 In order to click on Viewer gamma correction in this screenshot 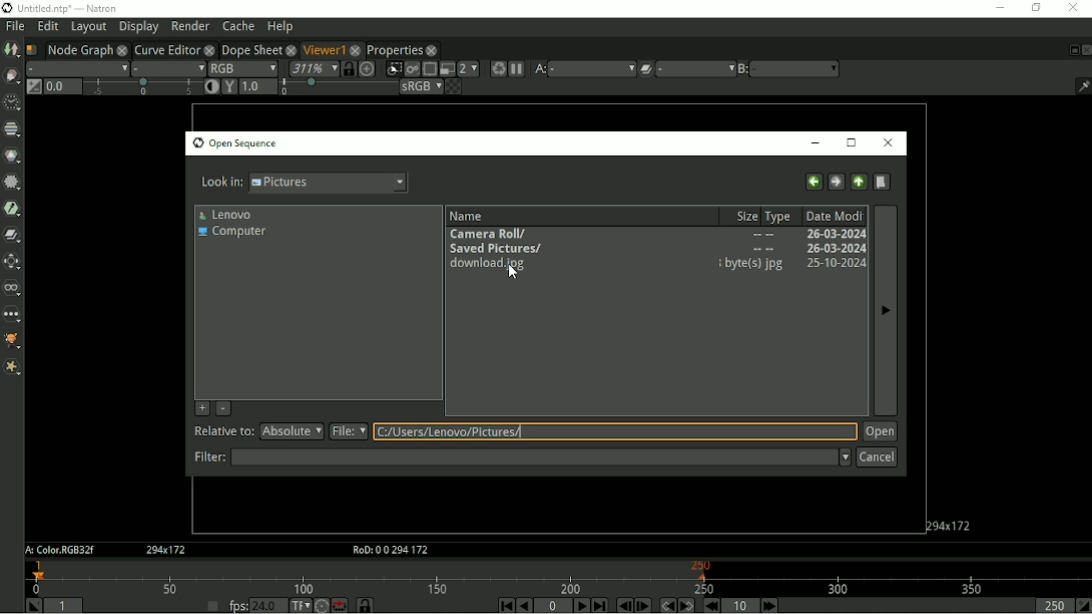, I will do `click(229, 86)`.